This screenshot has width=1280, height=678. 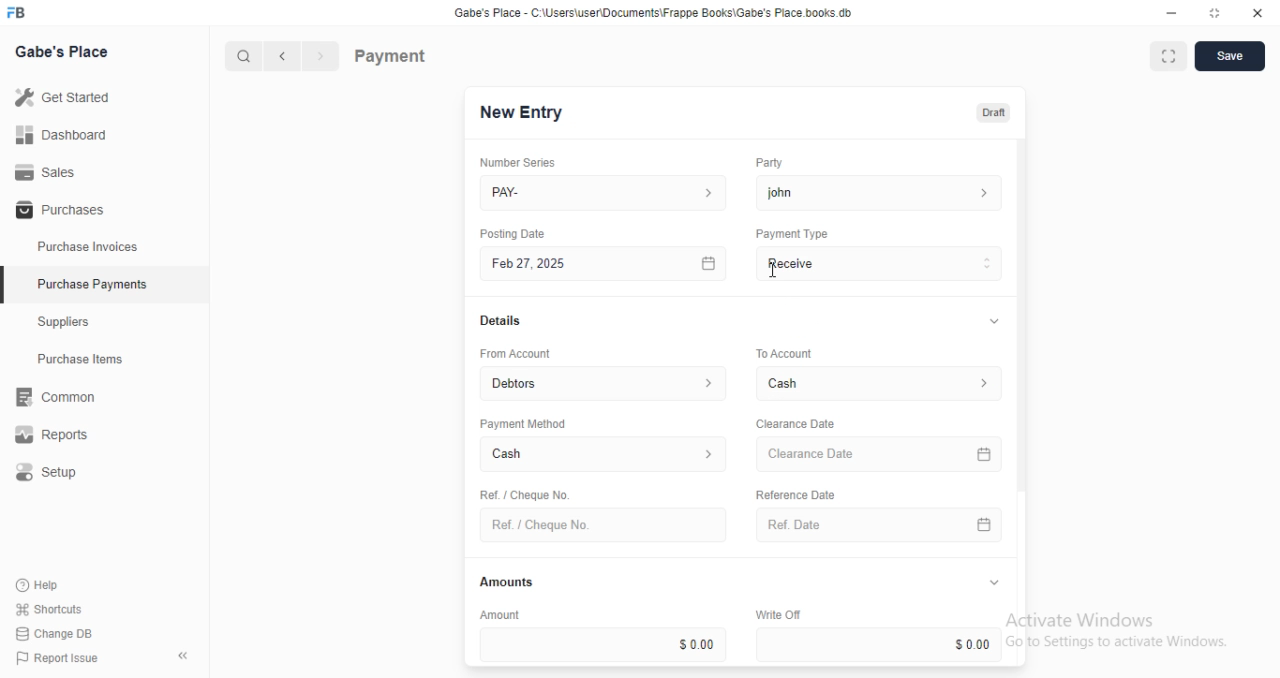 What do you see at coordinates (602, 525) in the screenshot?
I see `Ref. / Cheque No.` at bounding box center [602, 525].